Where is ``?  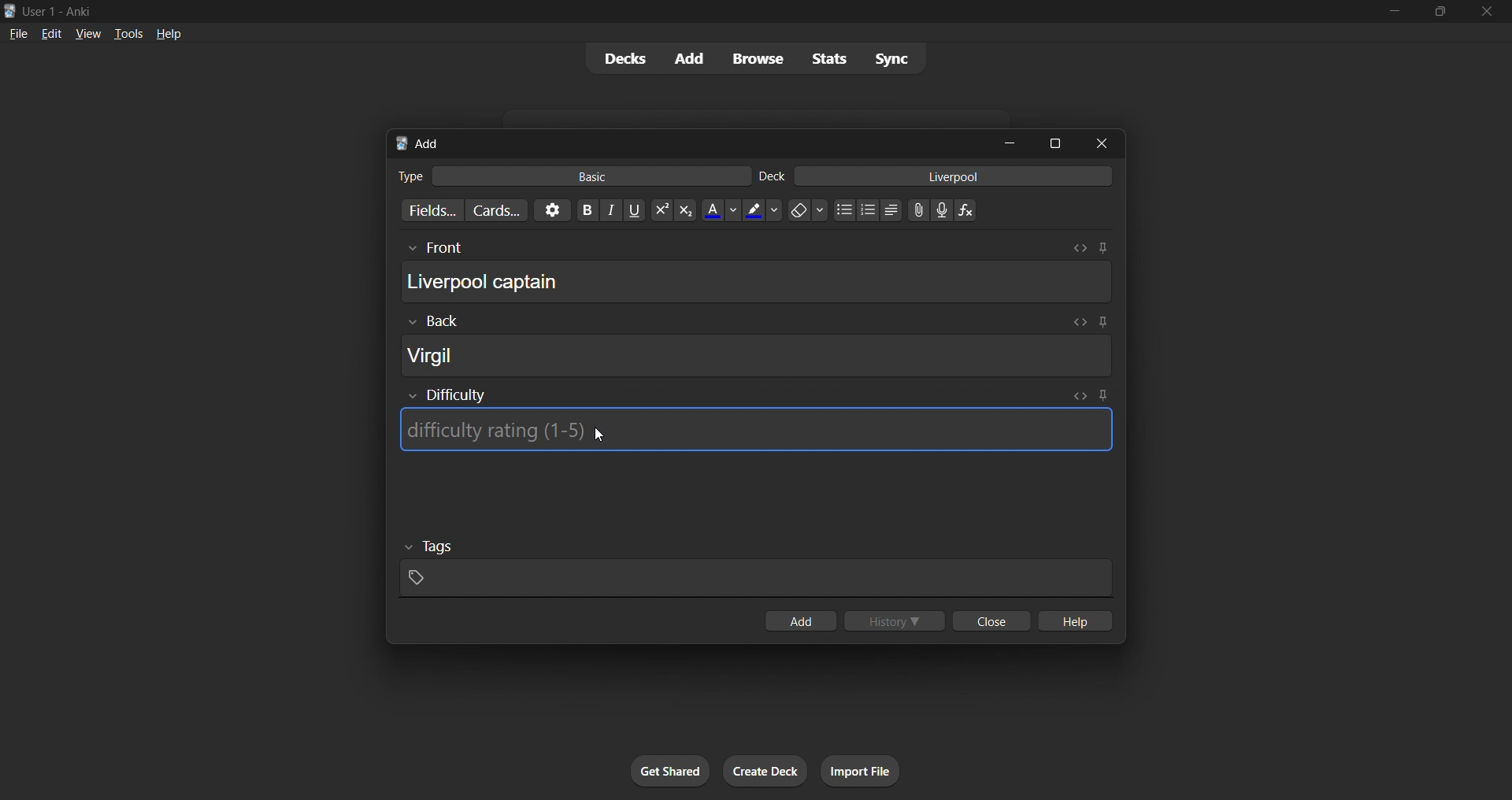
 is located at coordinates (430, 547).